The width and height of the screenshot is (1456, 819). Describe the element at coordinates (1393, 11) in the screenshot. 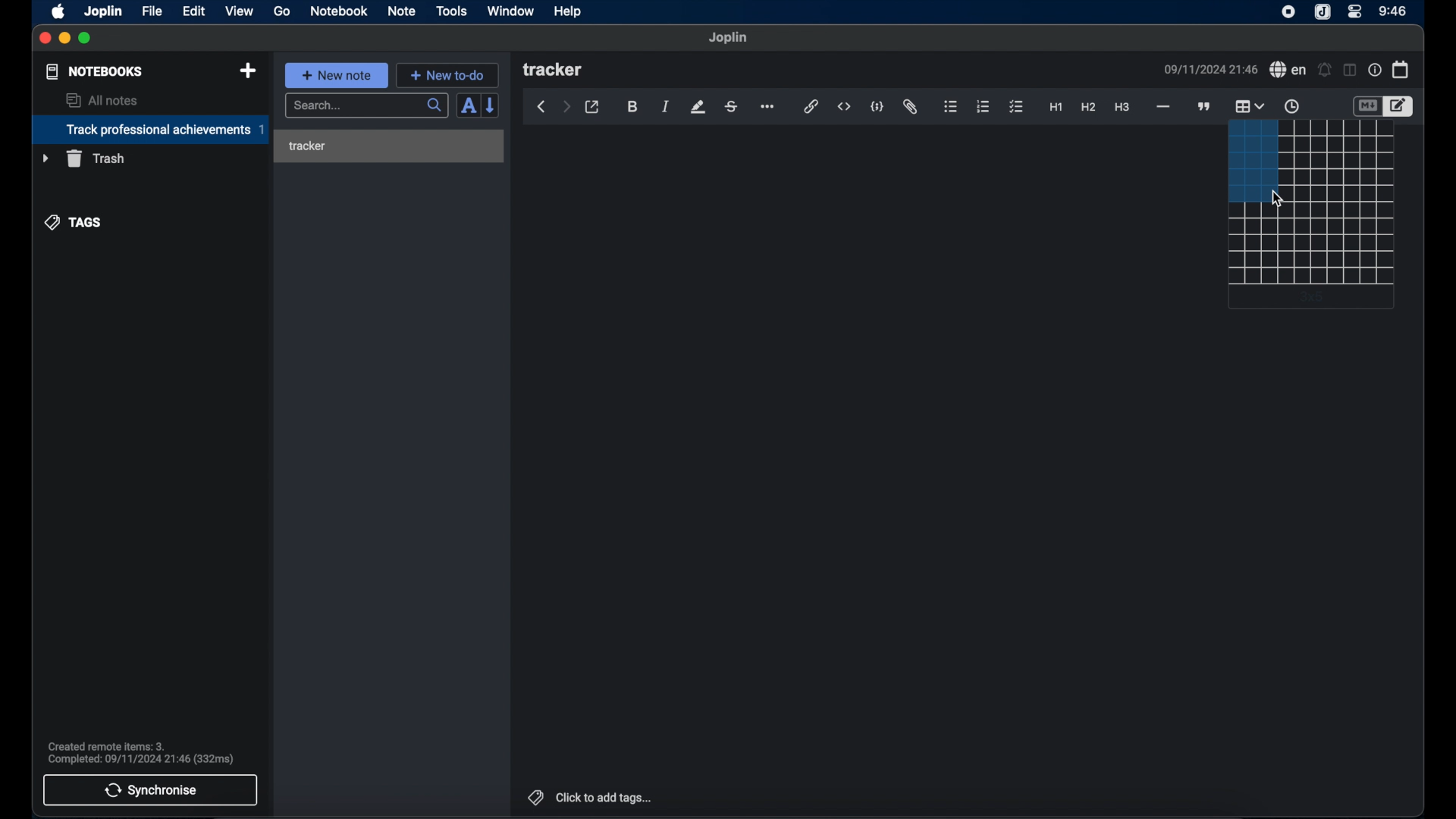

I see `time` at that location.